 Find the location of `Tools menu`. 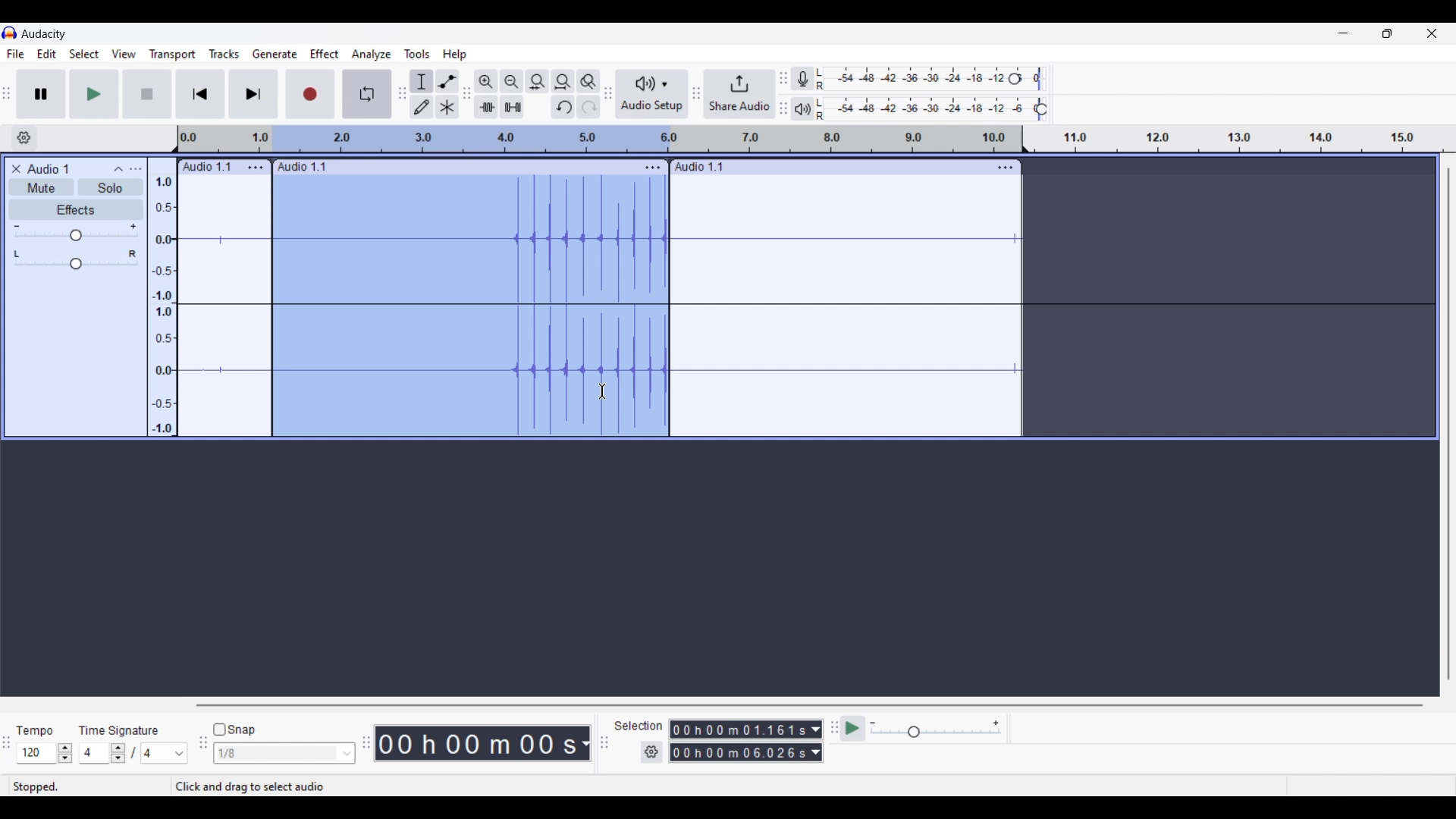

Tools menu is located at coordinates (417, 54).